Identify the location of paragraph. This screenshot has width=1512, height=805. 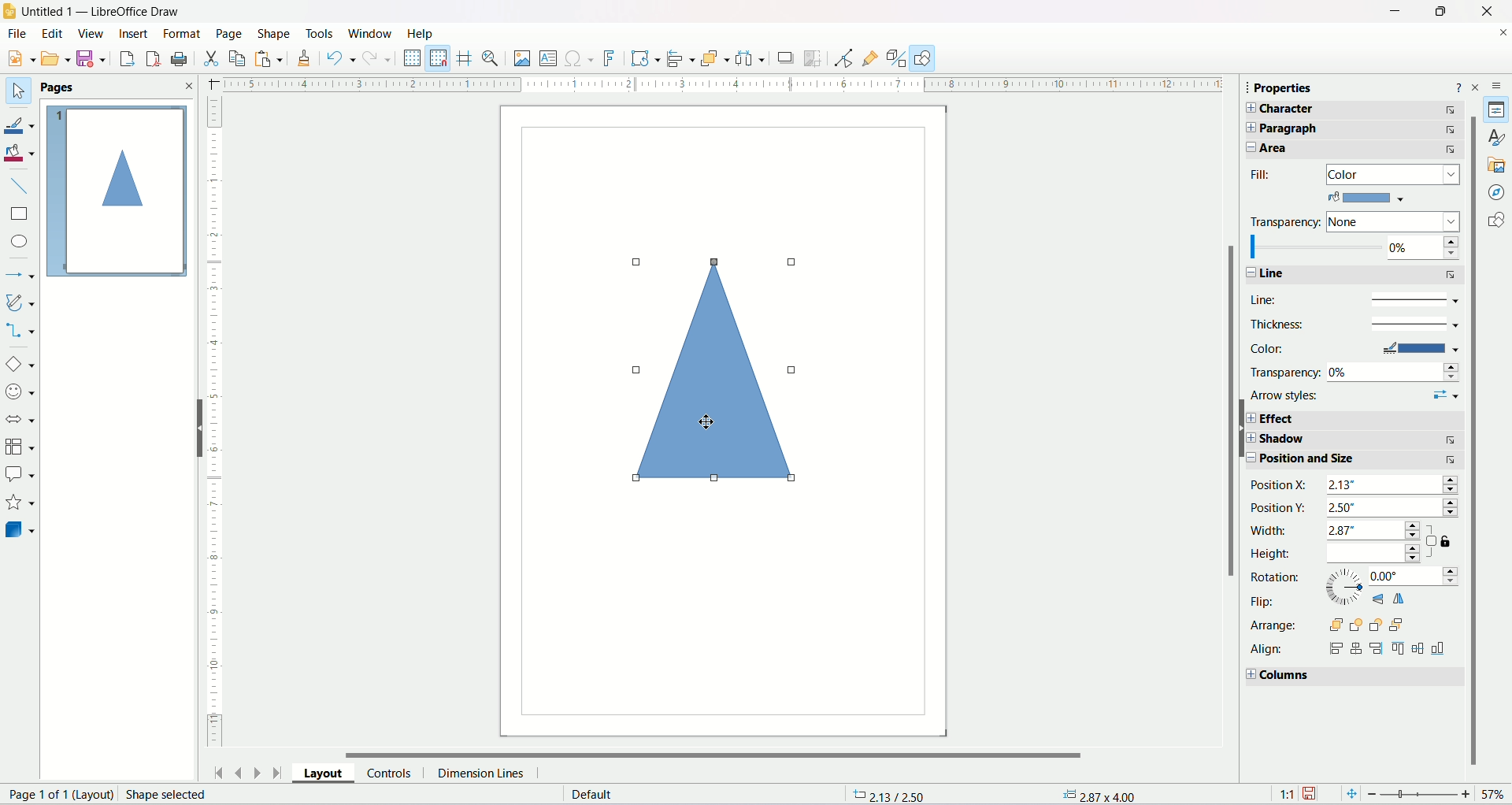
(1350, 129).